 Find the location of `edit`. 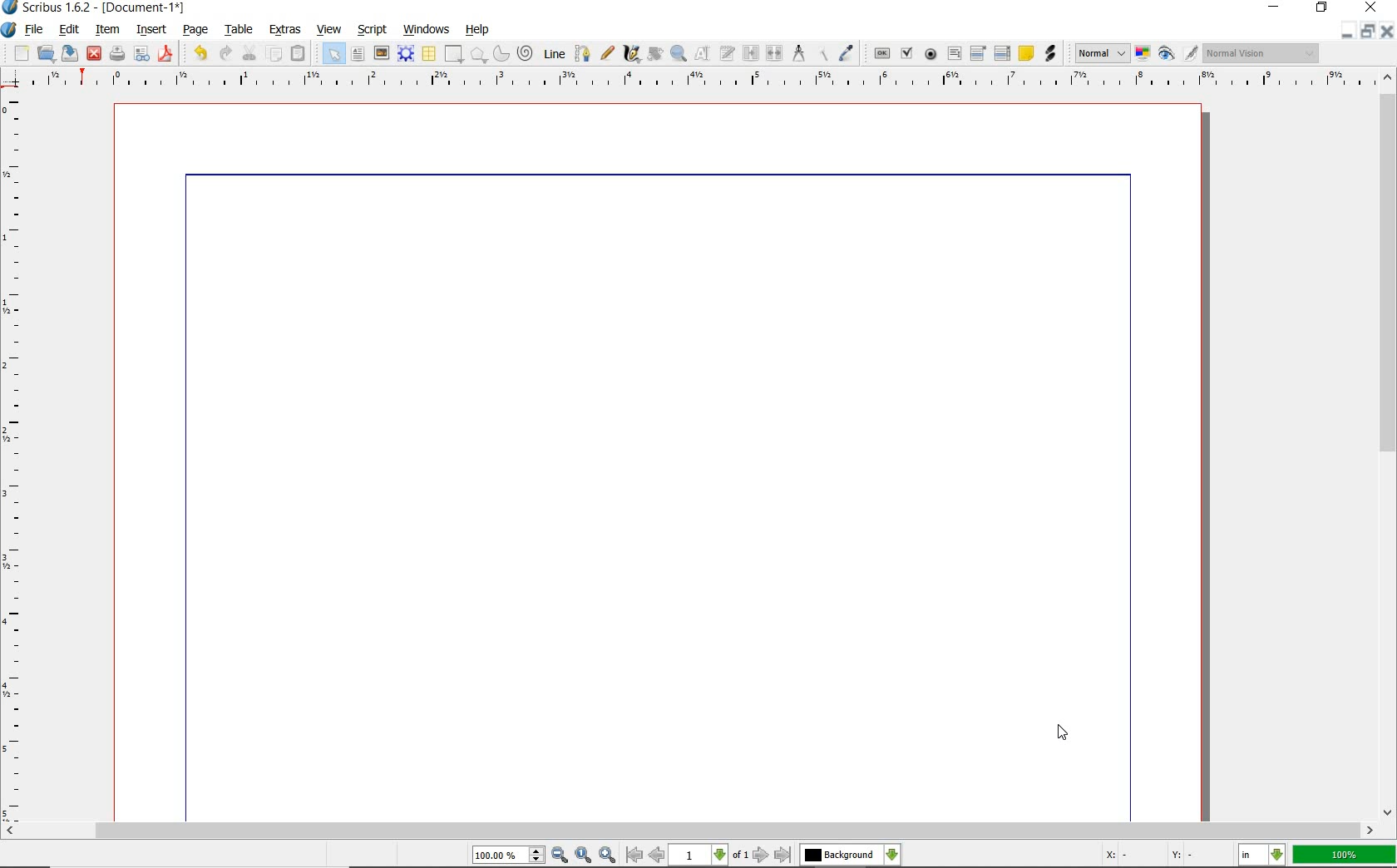

edit is located at coordinates (70, 29).